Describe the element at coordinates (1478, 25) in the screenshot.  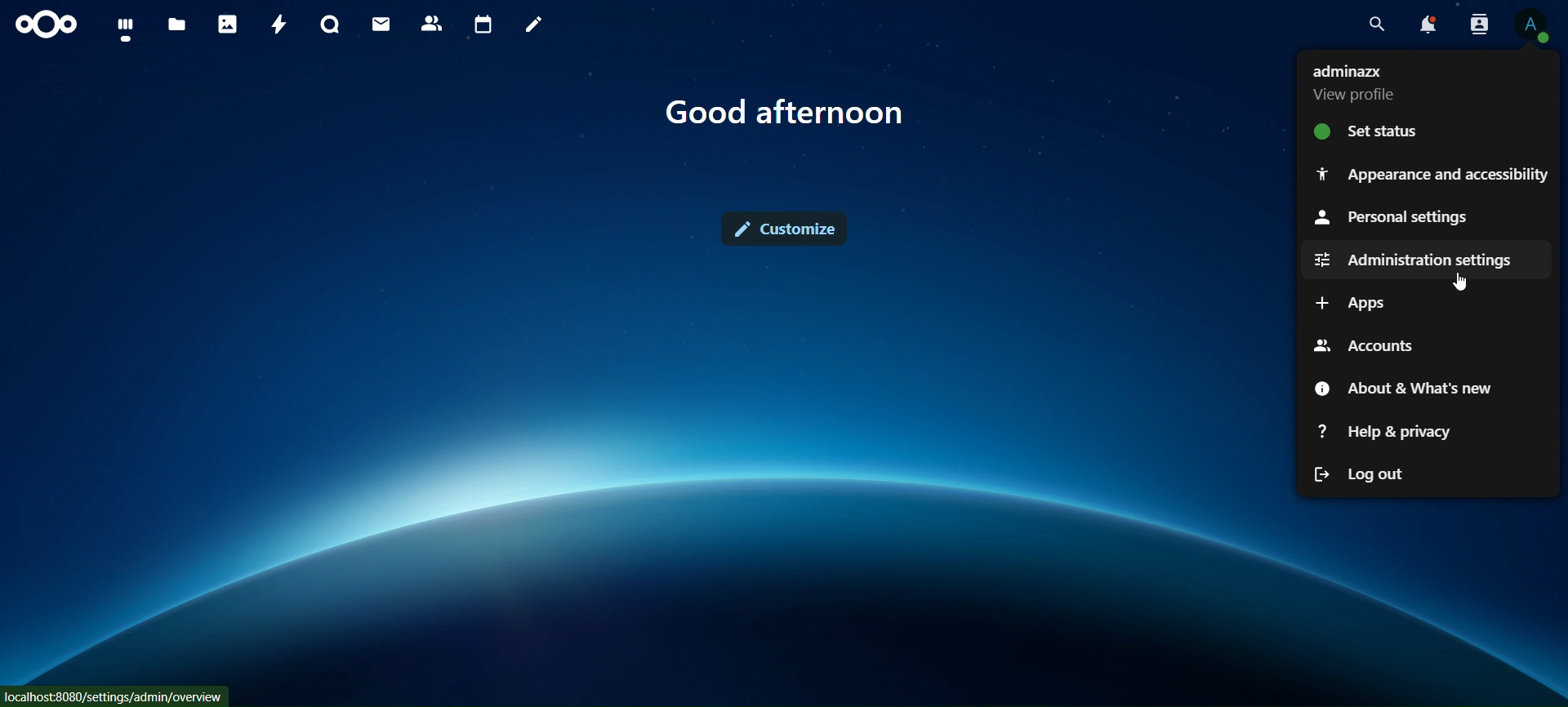
I see `search contacts` at that location.